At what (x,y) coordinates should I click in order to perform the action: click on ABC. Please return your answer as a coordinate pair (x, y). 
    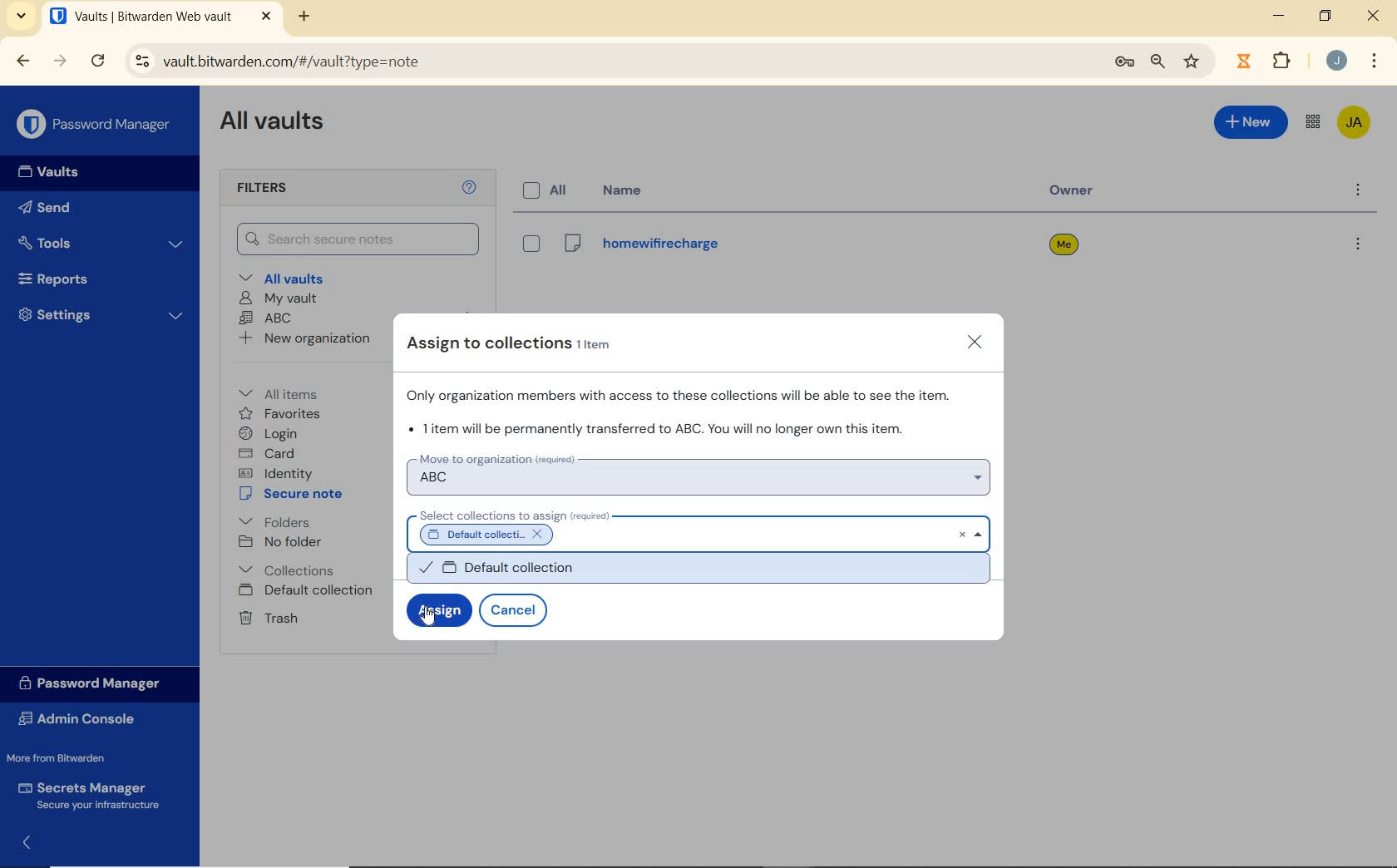
    Looking at the image, I should click on (266, 319).